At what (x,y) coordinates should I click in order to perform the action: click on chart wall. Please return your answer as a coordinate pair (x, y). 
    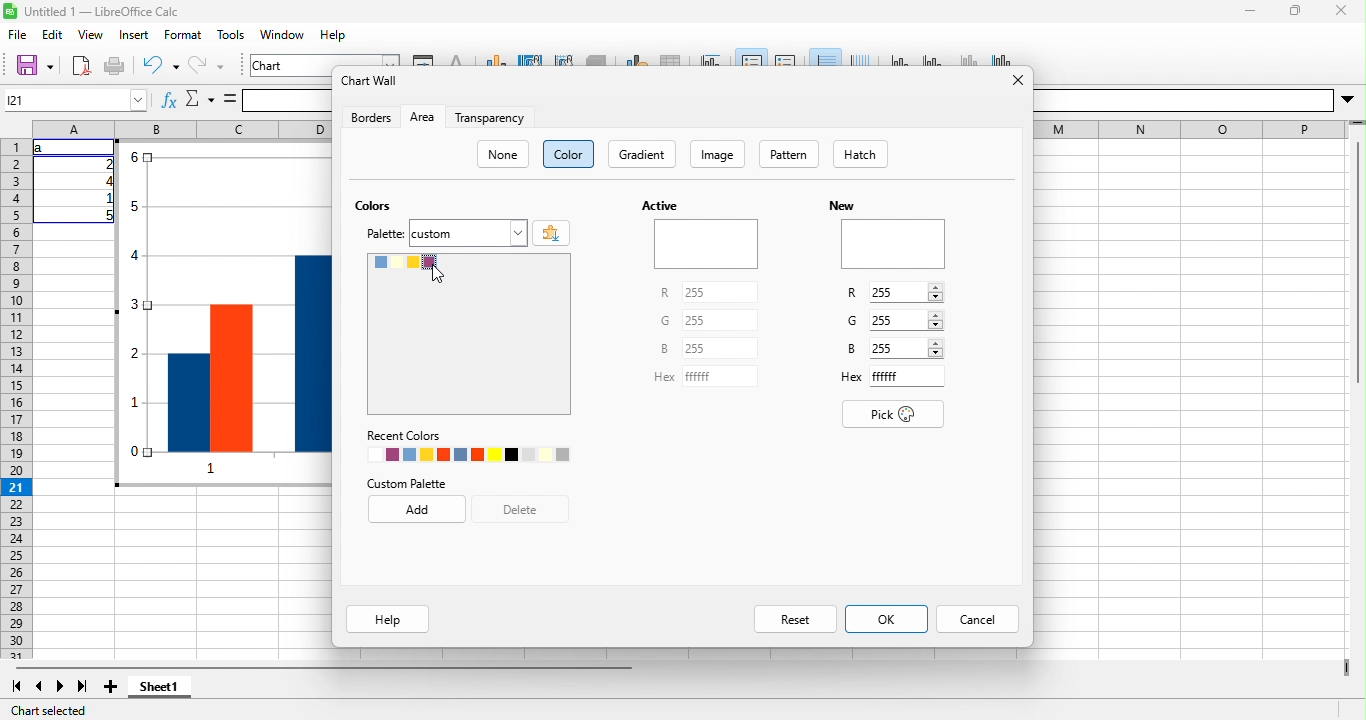
    Looking at the image, I should click on (564, 59).